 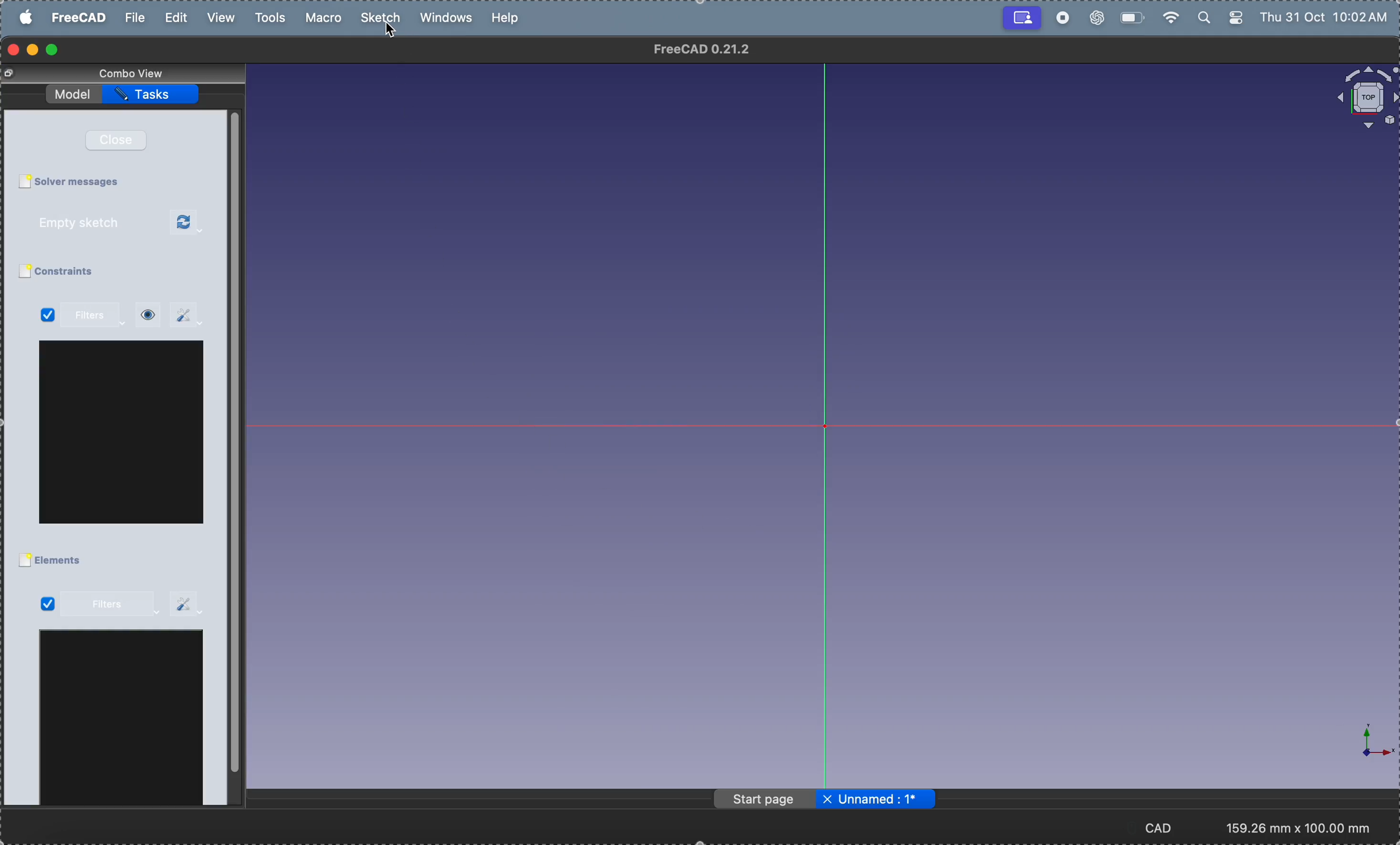 I want to click on empty sketch, so click(x=93, y=223).